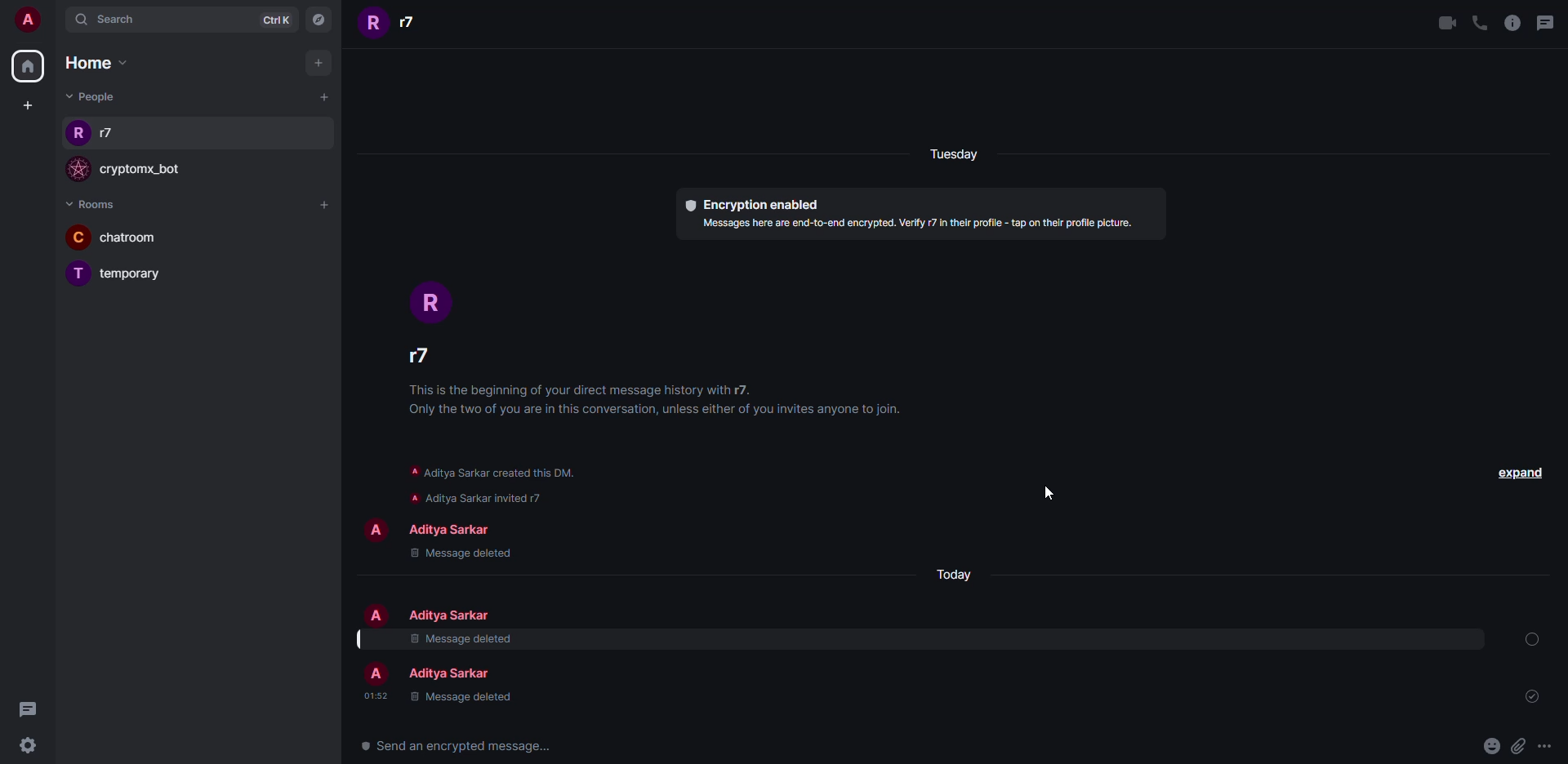 The height and width of the screenshot is (764, 1568). I want to click on threads, so click(33, 710).